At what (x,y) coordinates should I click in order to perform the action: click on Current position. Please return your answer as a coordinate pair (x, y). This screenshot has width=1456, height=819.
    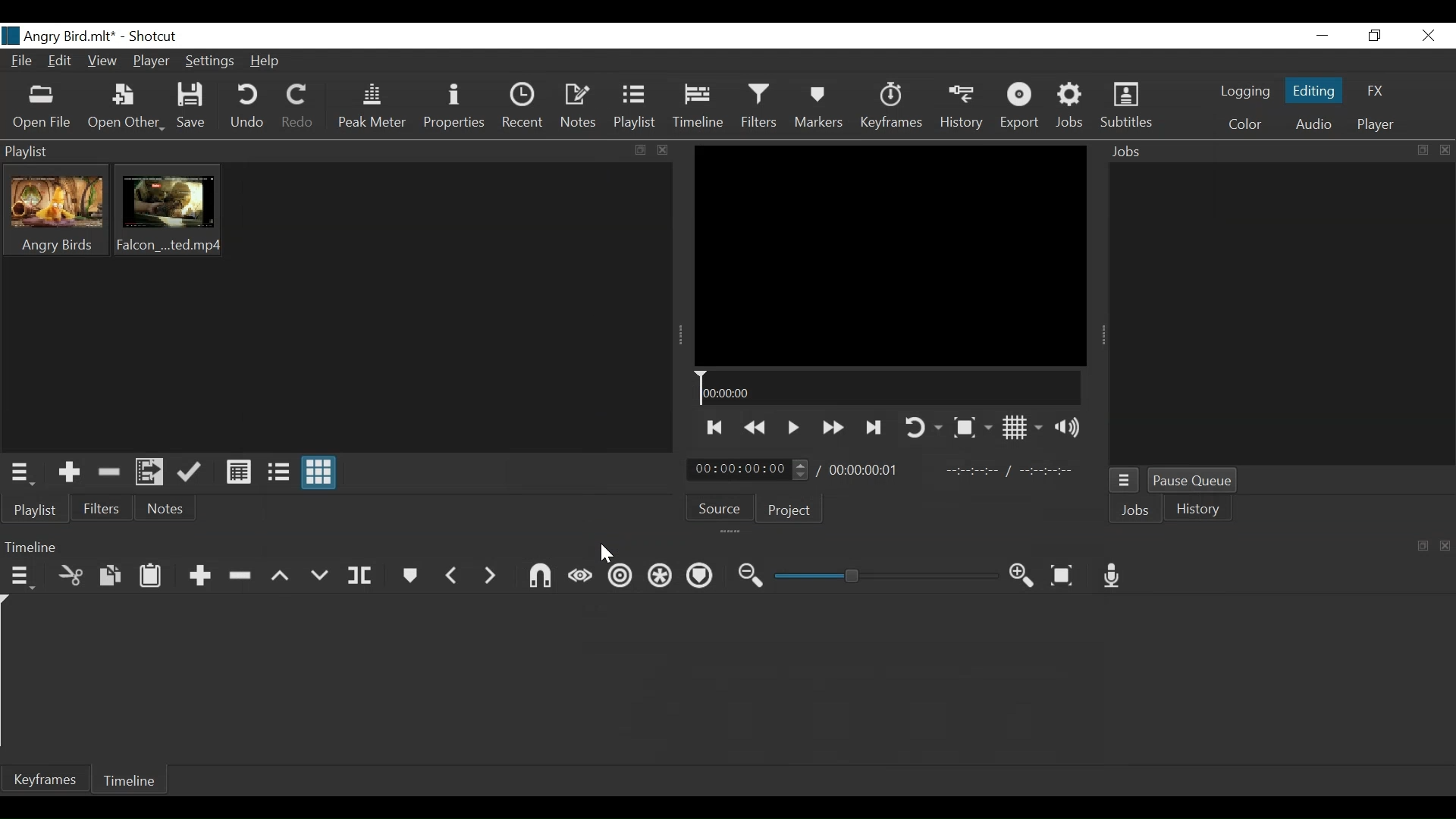
    Looking at the image, I should click on (745, 470).